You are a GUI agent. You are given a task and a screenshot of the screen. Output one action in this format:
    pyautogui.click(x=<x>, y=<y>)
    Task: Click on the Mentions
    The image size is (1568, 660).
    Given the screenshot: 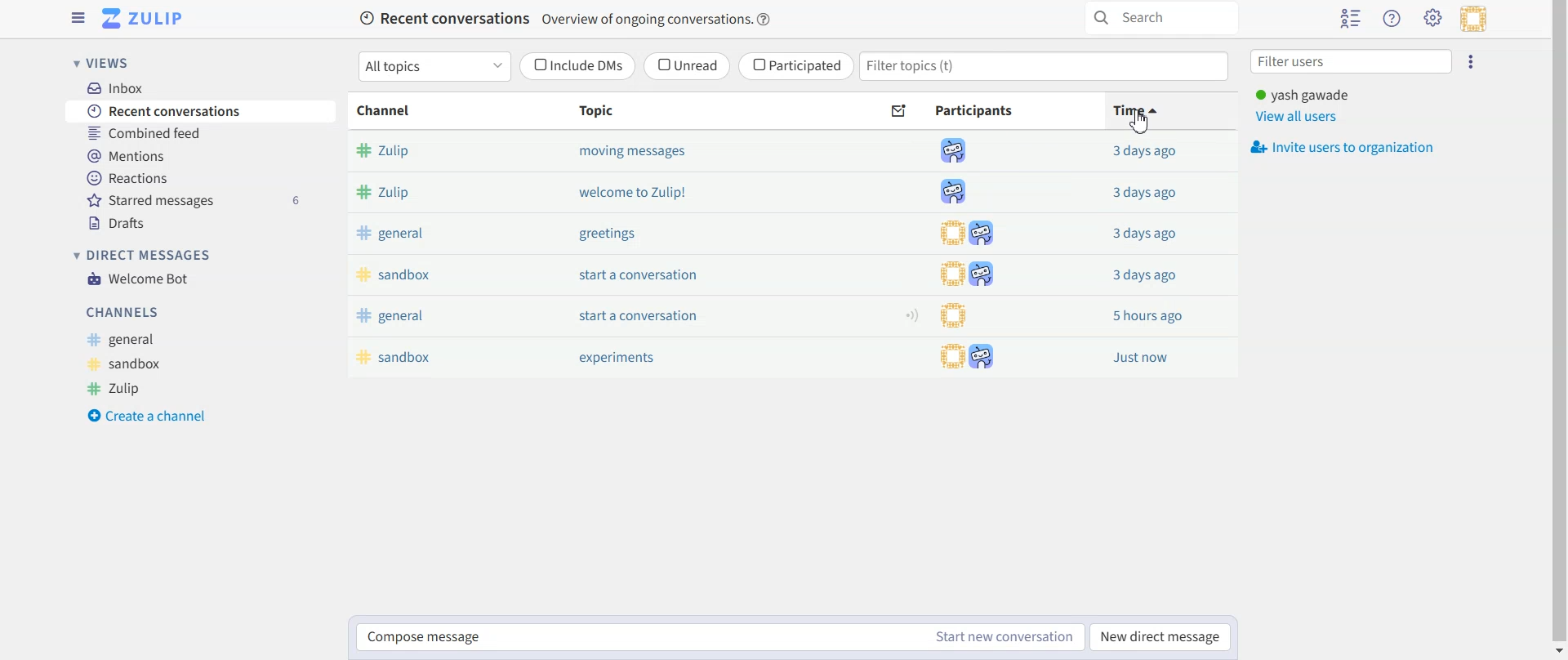 What is the action you would take?
    pyautogui.click(x=200, y=154)
    